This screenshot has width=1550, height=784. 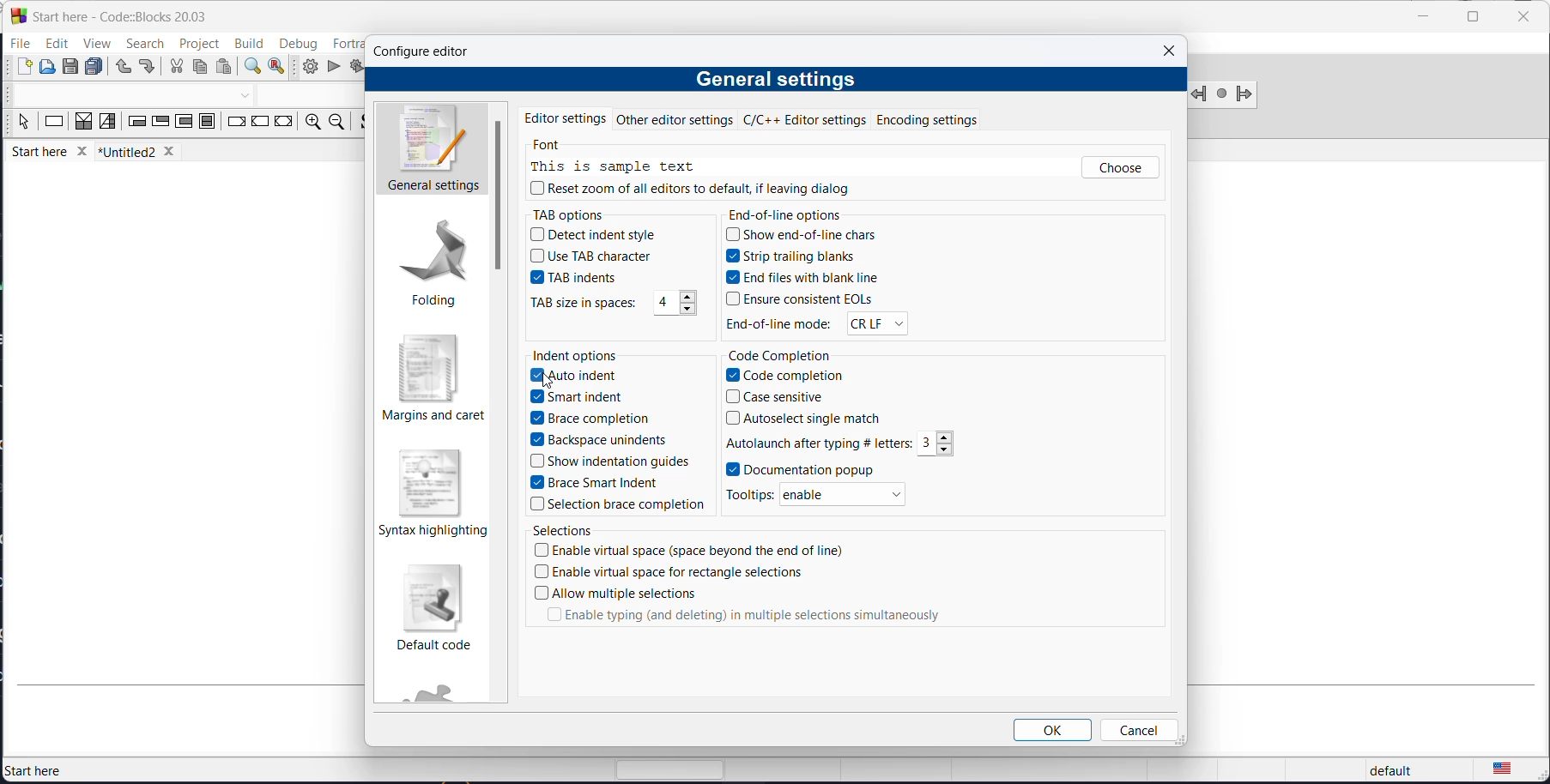 What do you see at coordinates (581, 398) in the screenshot?
I see `smart indent check box` at bounding box center [581, 398].